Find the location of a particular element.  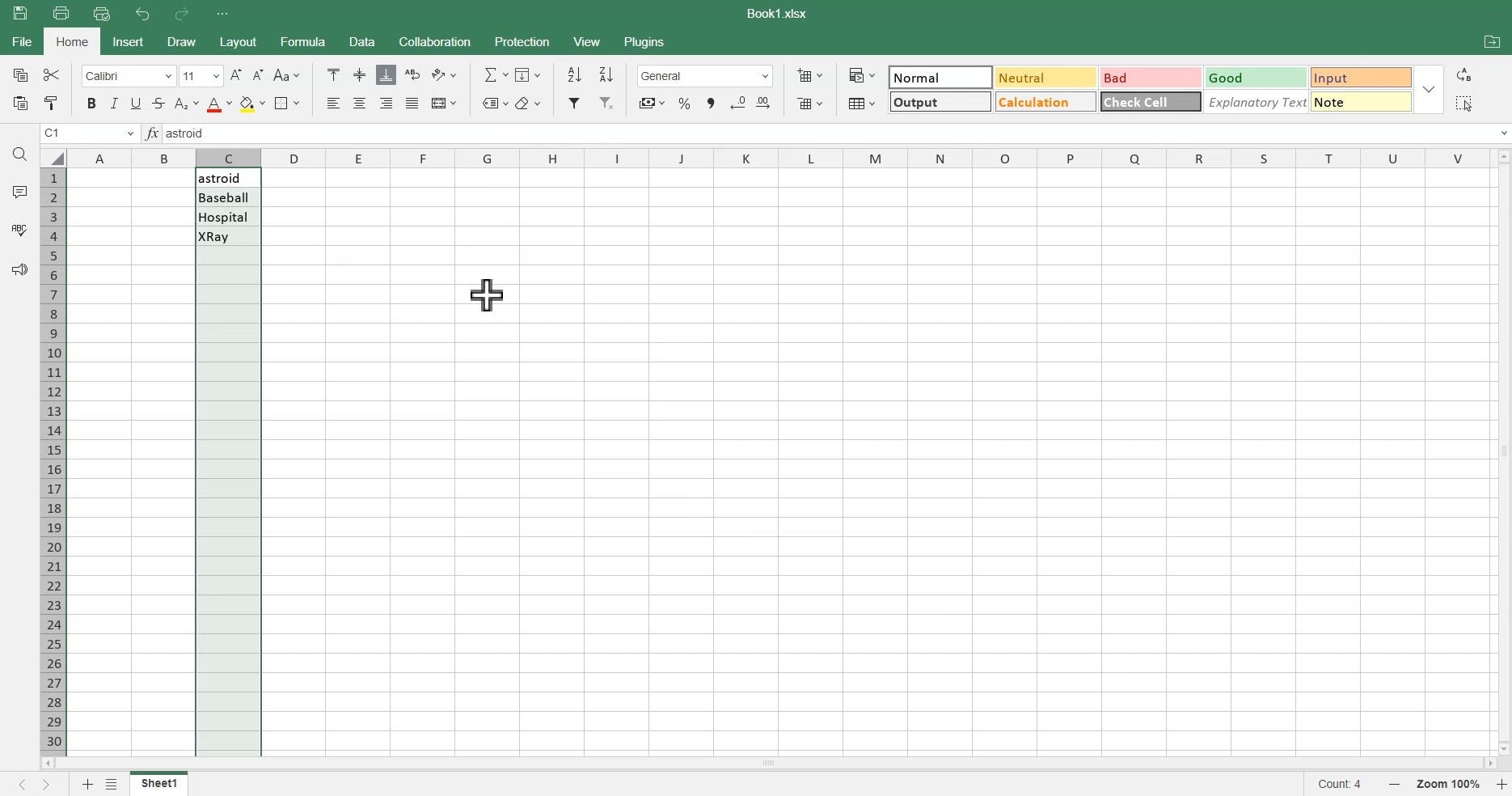

show is located at coordinates (1433, 89).